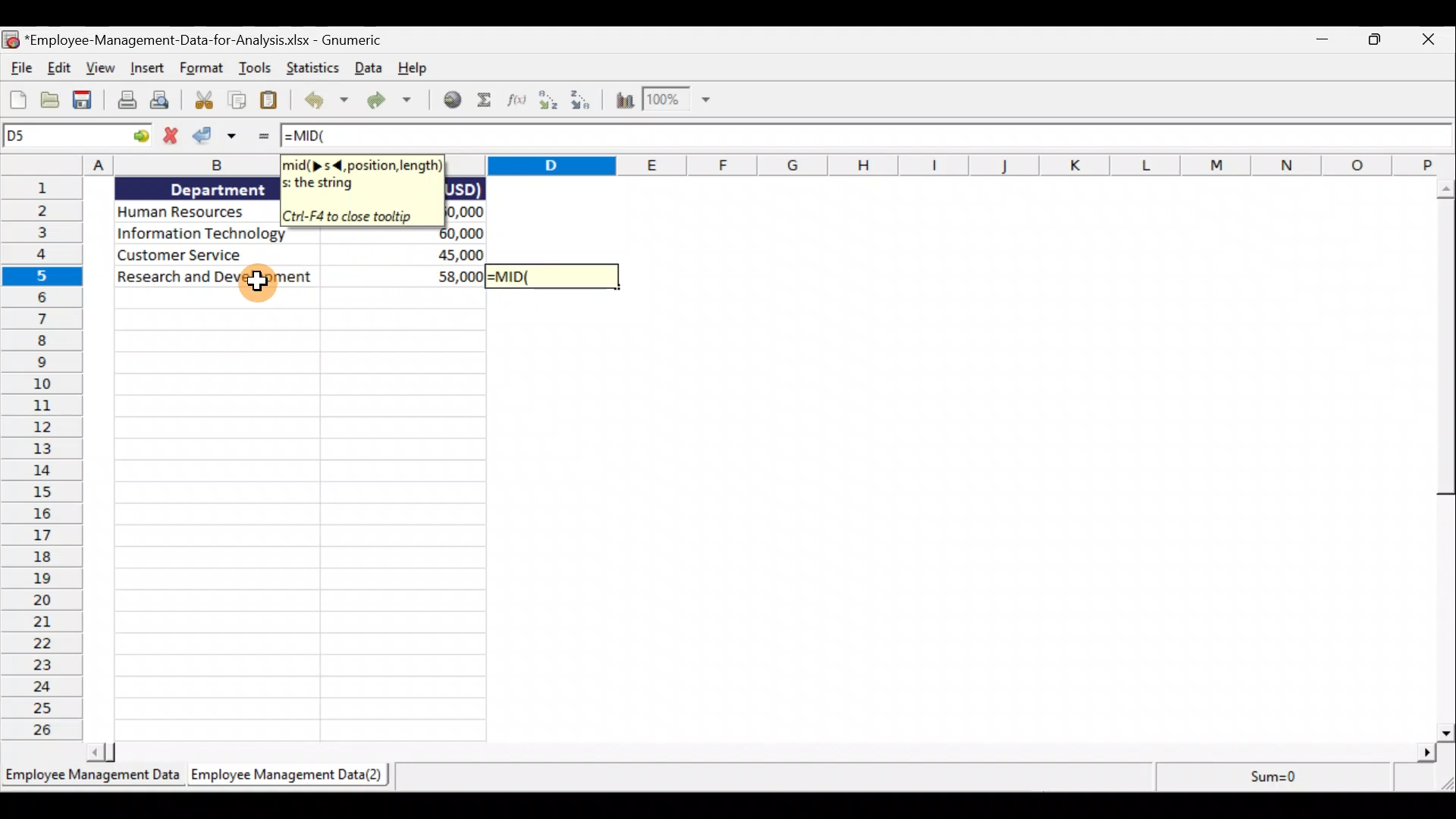  What do you see at coordinates (588, 103) in the screenshot?
I see `Sort descending` at bounding box center [588, 103].